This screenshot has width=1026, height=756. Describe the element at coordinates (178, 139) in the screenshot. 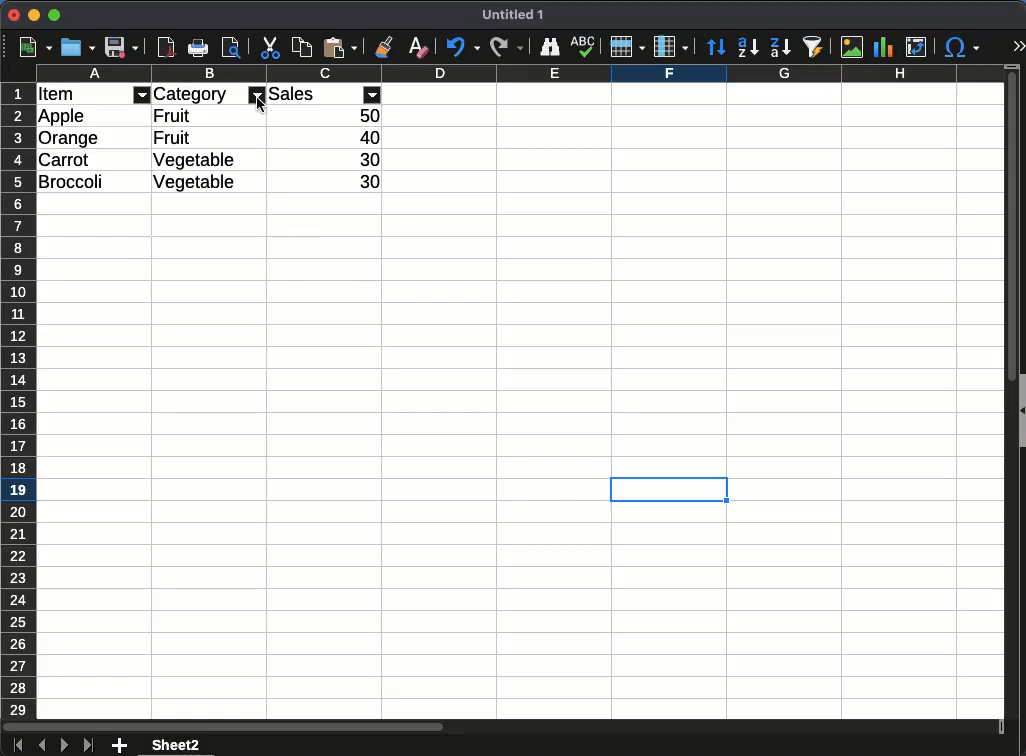

I see `fruit` at that location.